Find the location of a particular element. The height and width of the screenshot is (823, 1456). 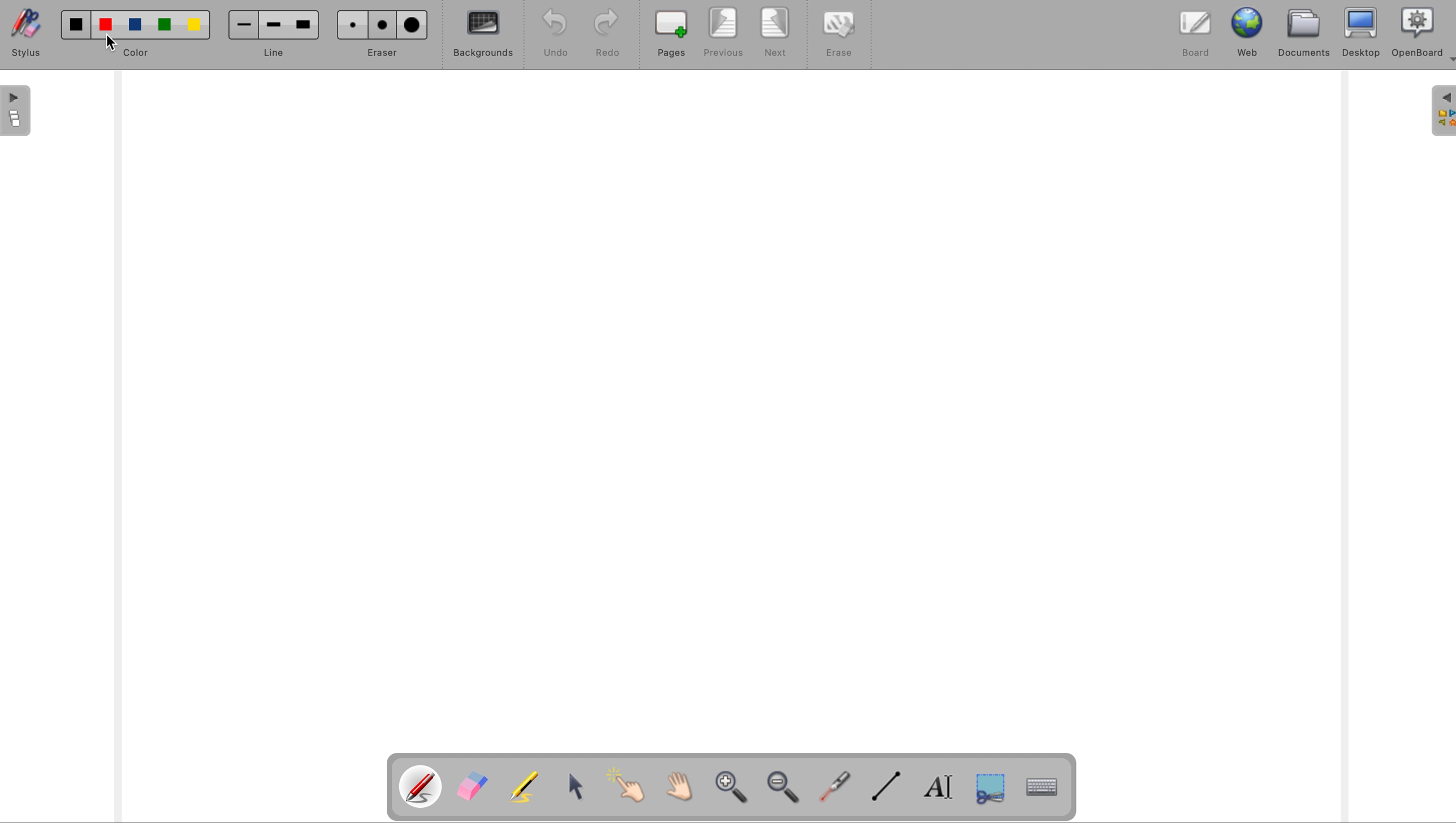

highlight is located at coordinates (526, 785).